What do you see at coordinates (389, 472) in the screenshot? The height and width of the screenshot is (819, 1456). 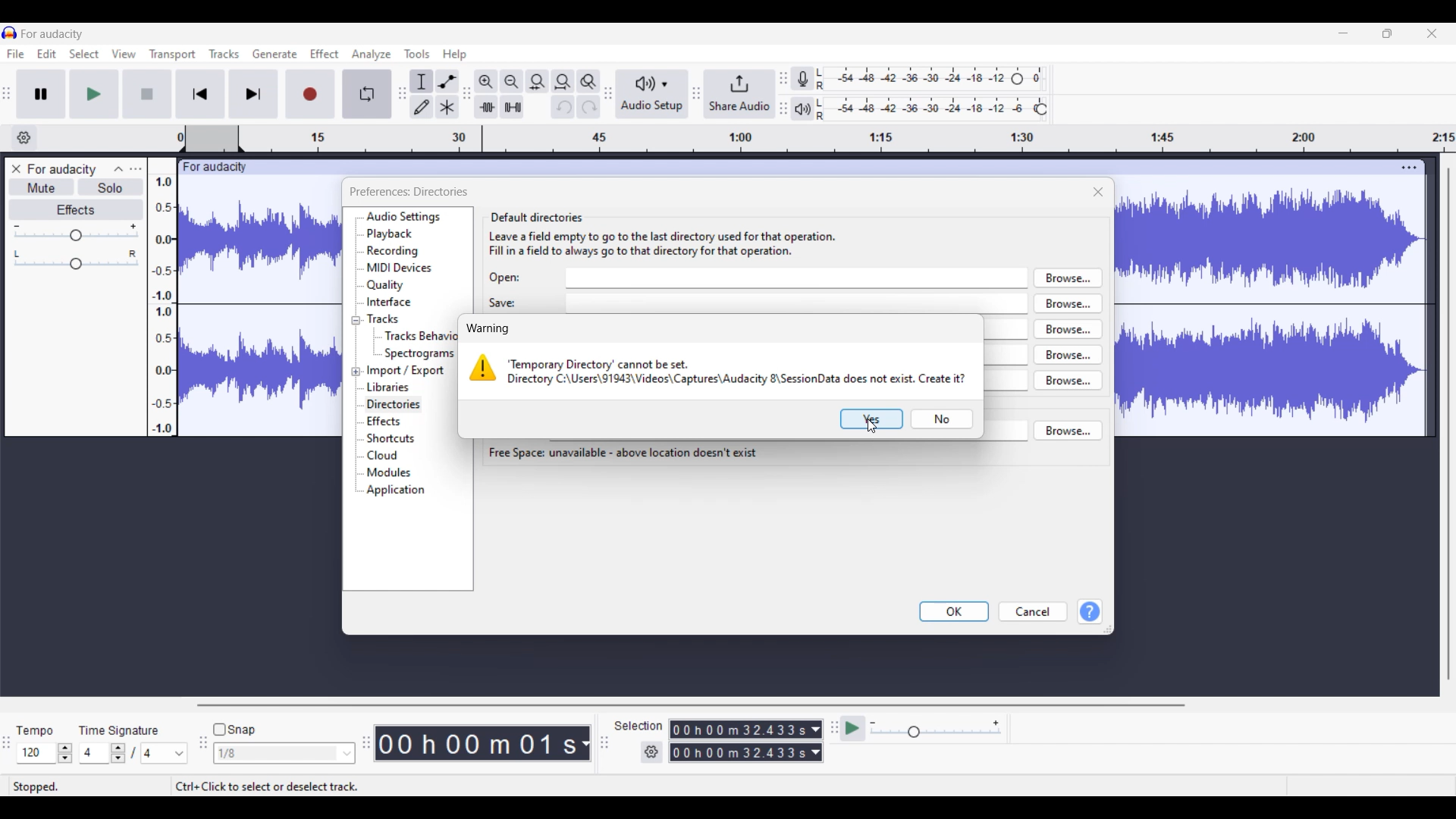 I see `Modules` at bounding box center [389, 472].